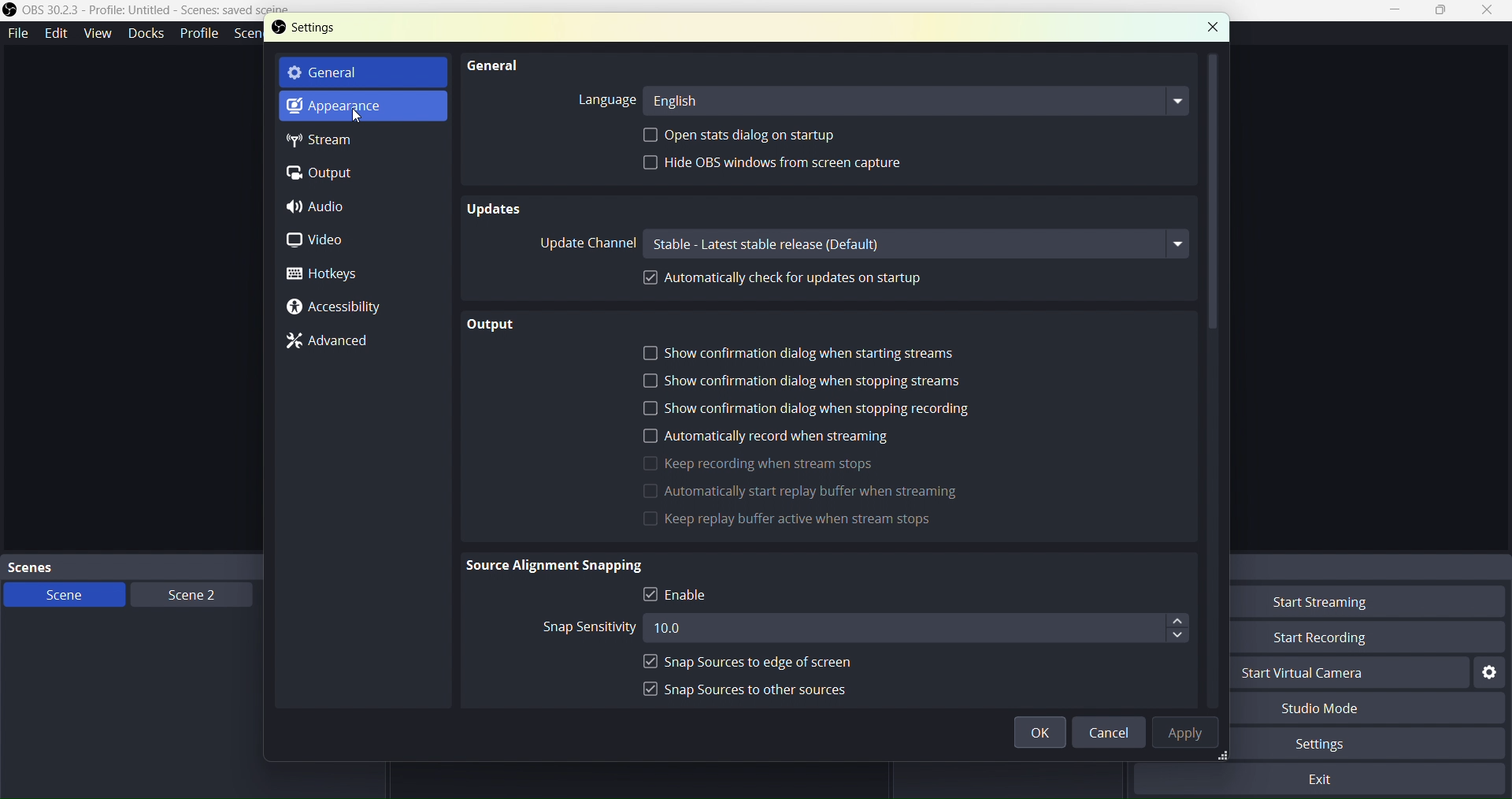 This screenshot has width=1512, height=799. I want to click on Automatically record when streaming, so click(743, 437).